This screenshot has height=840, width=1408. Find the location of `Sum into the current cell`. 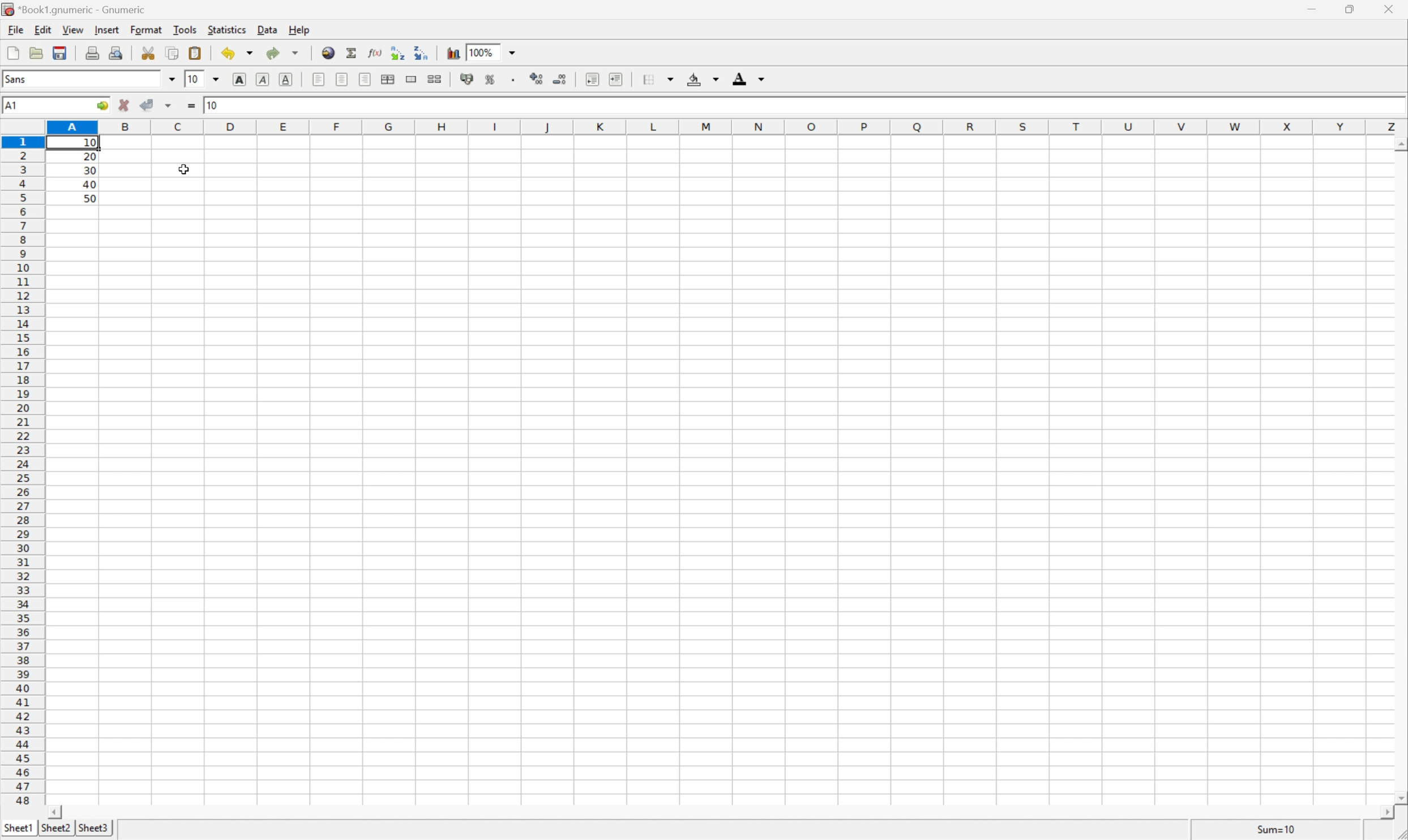

Sum into the current cell is located at coordinates (352, 53).